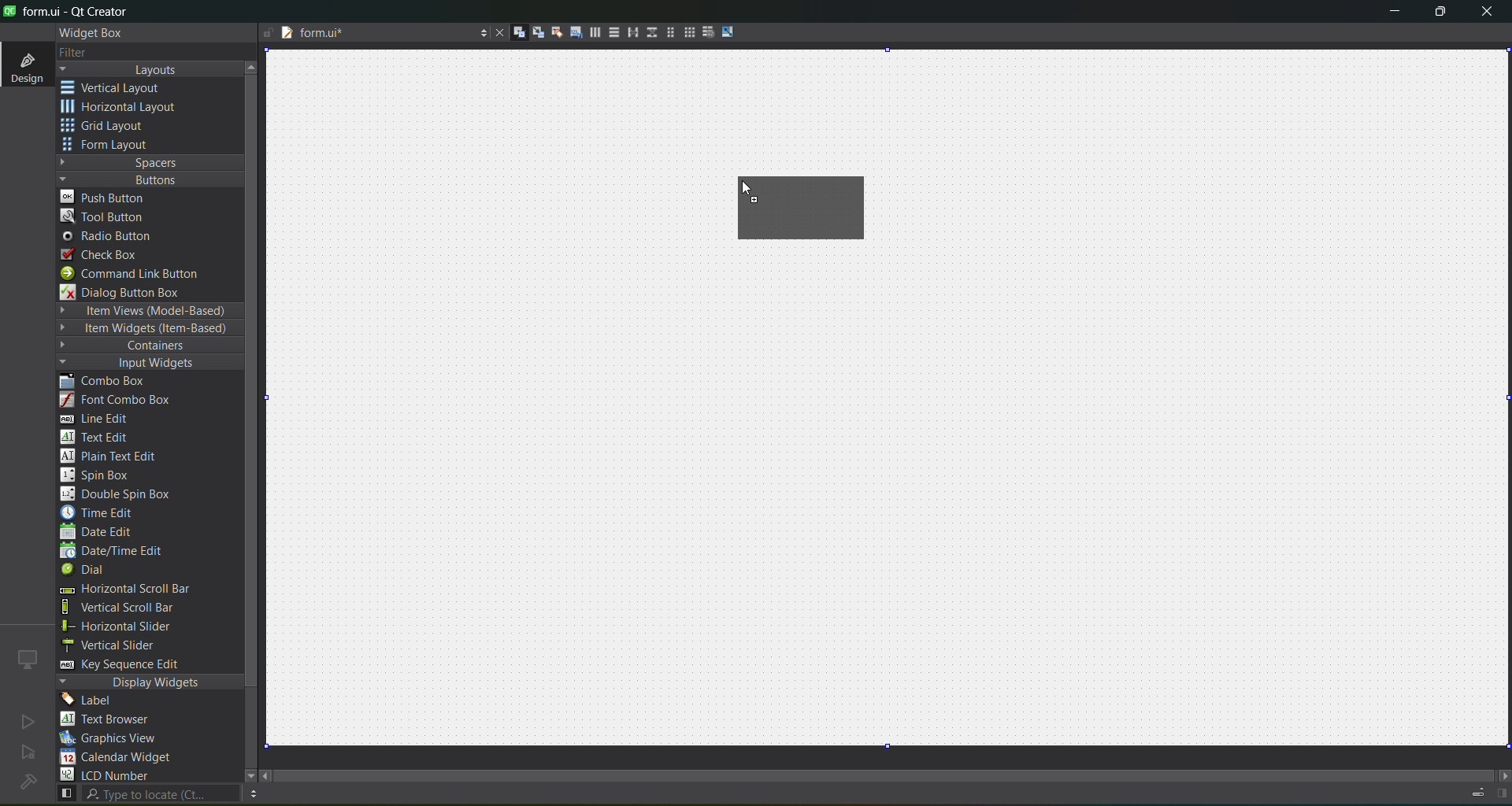 This screenshot has height=806, width=1512. I want to click on file is writable, so click(268, 34).